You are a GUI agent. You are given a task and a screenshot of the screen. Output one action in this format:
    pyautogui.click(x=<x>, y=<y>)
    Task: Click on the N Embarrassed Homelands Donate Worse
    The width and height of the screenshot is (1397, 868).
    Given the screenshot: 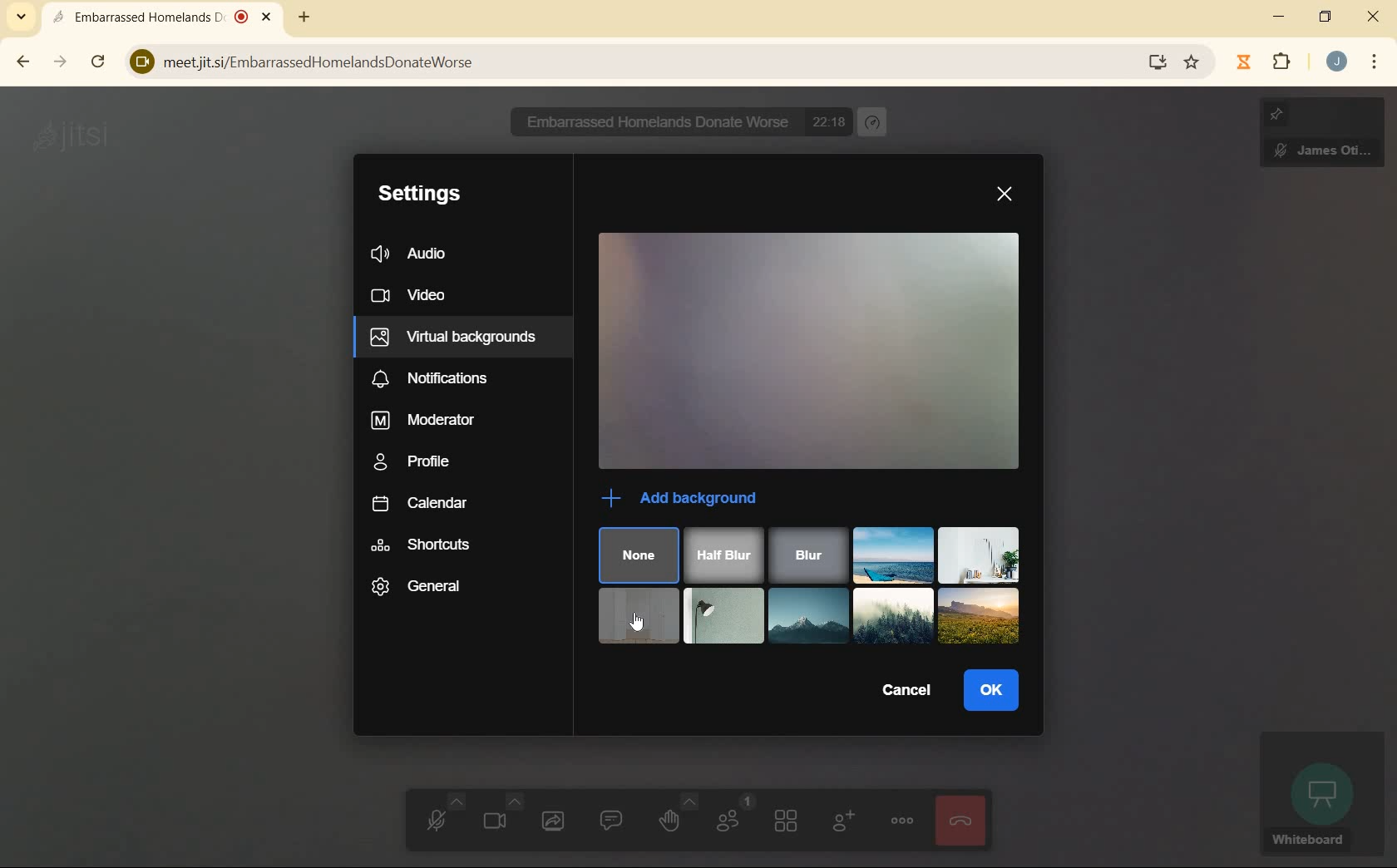 What is the action you would take?
    pyautogui.click(x=646, y=121)
    